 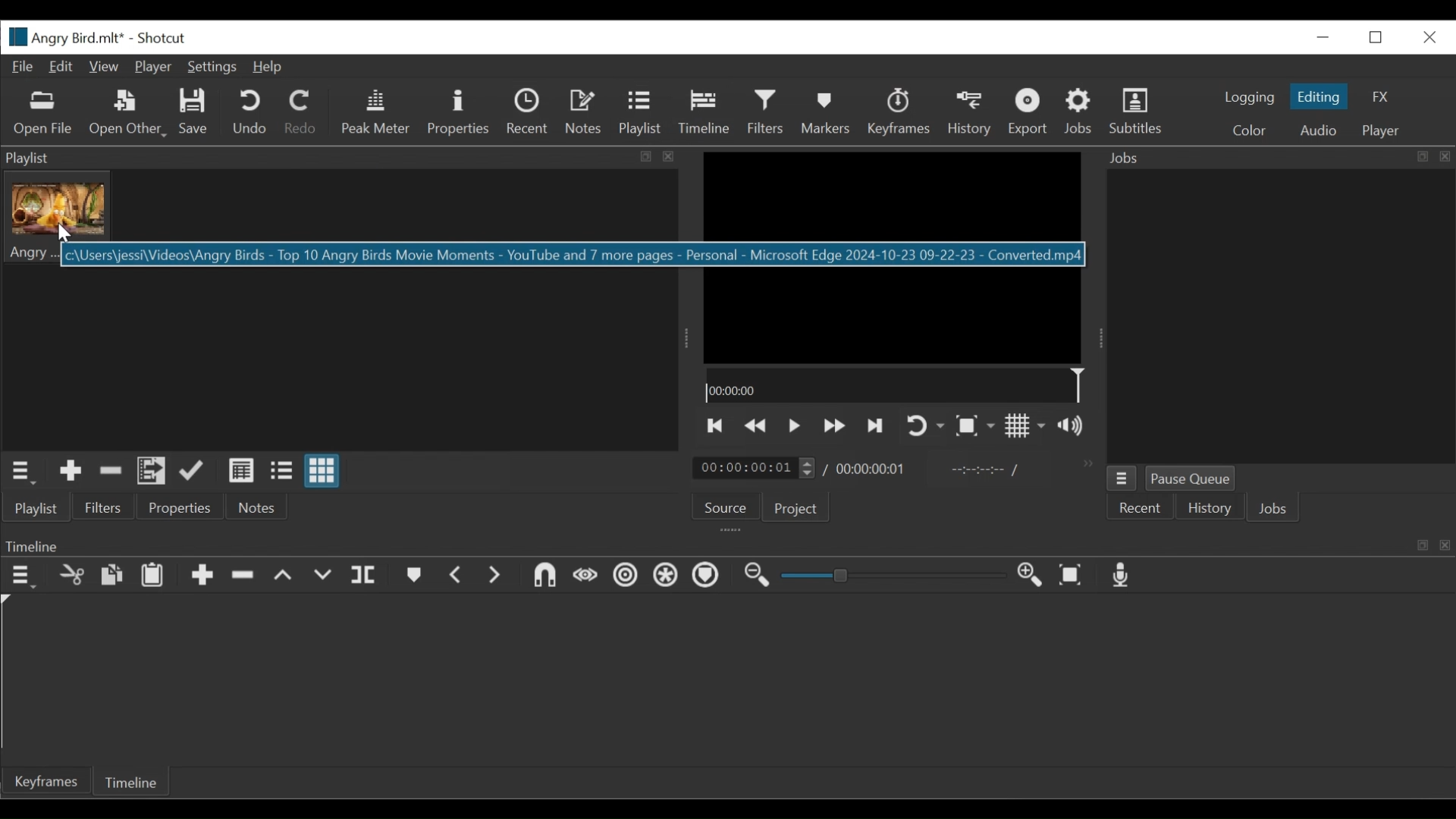 I want to click on Export, so click(x=1028, y=114).